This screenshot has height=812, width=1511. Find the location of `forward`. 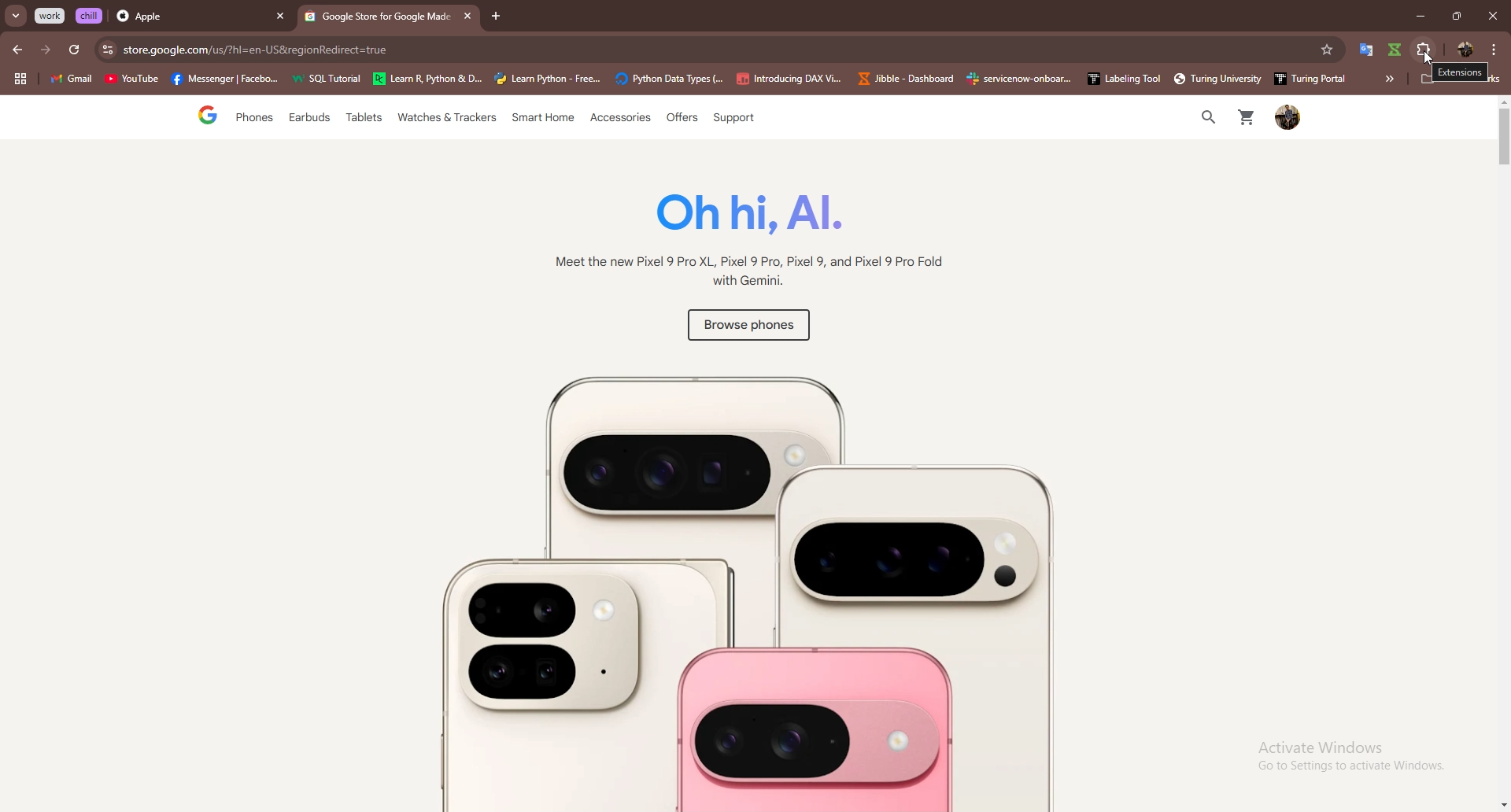

forward is located at coordinates (46, 50).